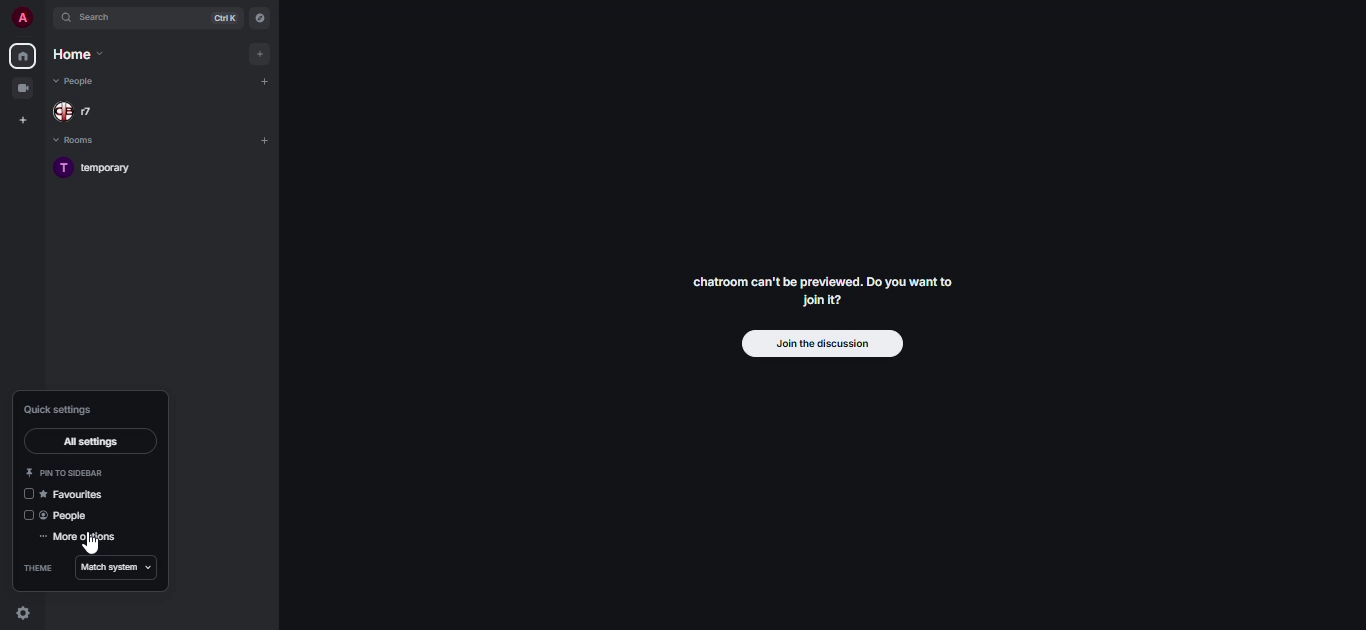  I want to click on cursor, so click(91, 544).